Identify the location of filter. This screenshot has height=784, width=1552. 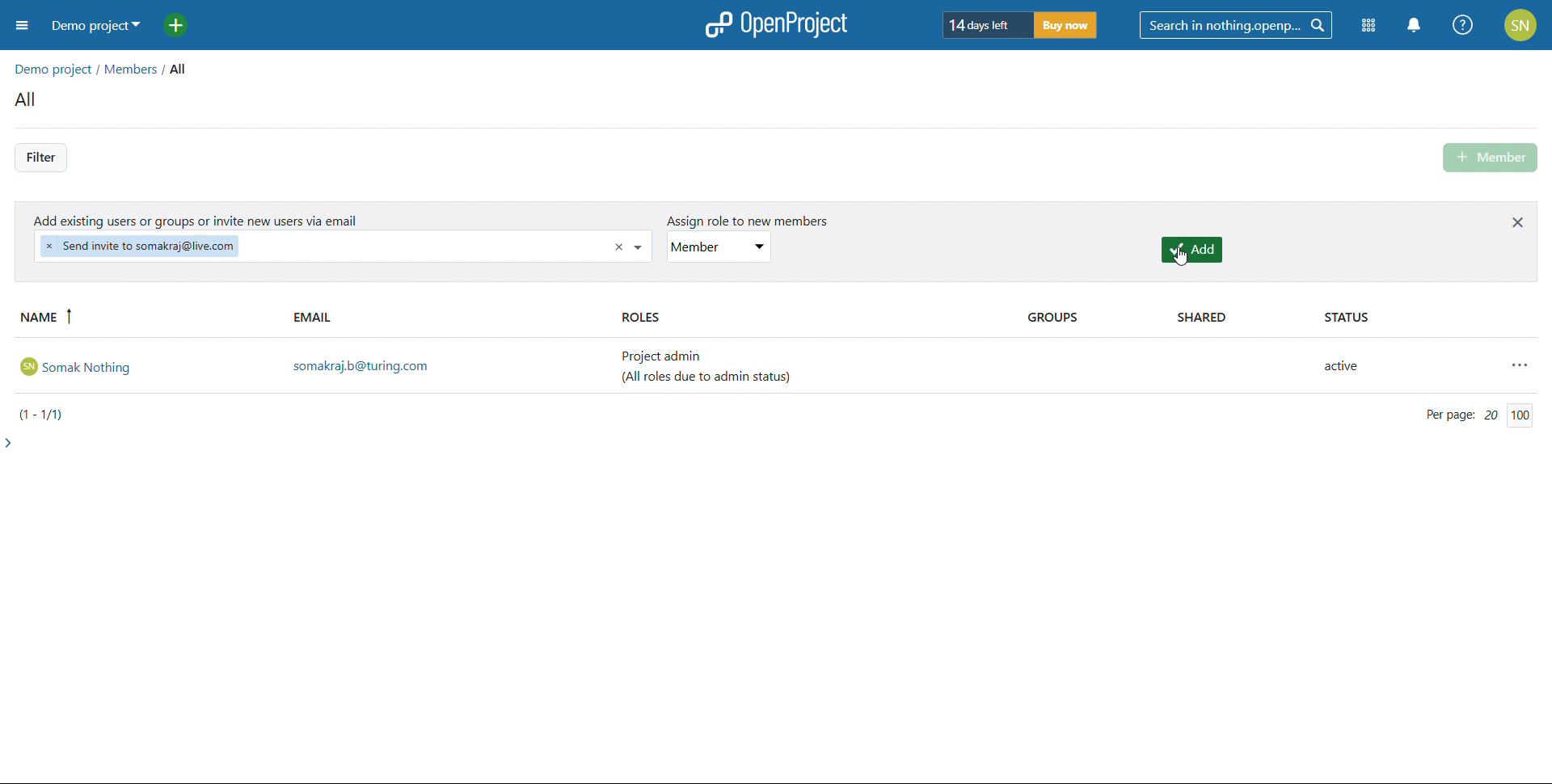
(40, 158).